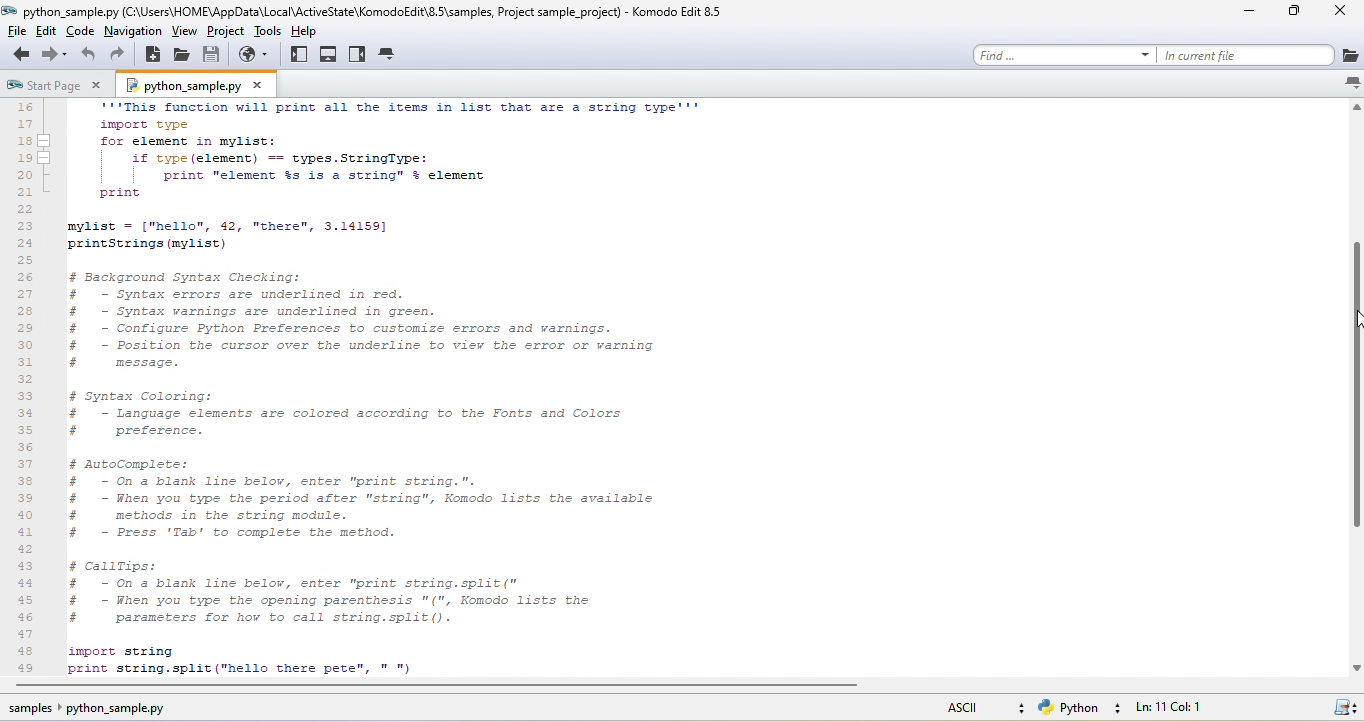 The width and height of the screenshot is (1364, 722). What do you see at coordinates (56, 55) in the screenshot?
I see `forward` at bounding box center [56, 55].